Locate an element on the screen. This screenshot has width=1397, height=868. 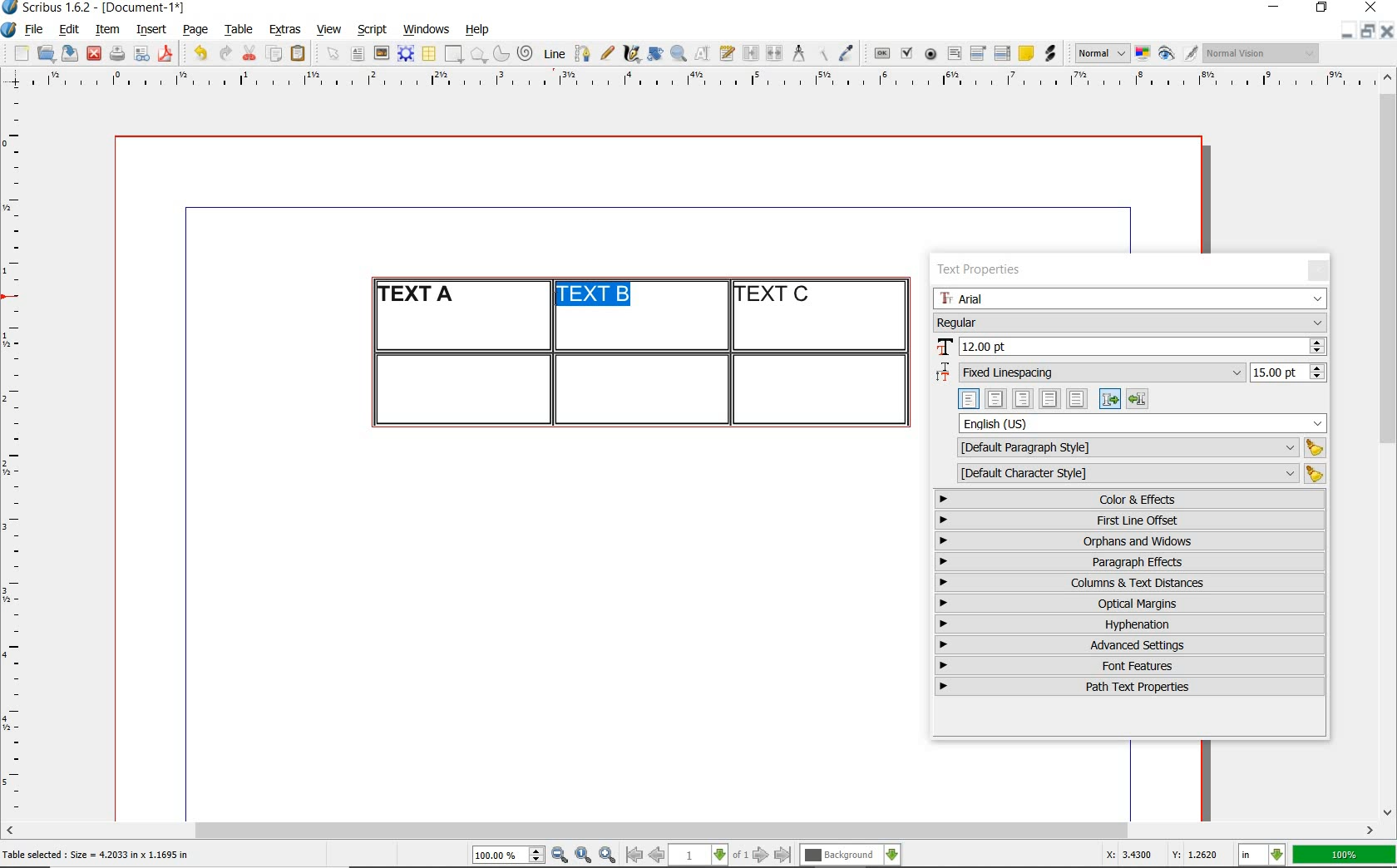
default paragraph style is located at coordinates (1138, 448).